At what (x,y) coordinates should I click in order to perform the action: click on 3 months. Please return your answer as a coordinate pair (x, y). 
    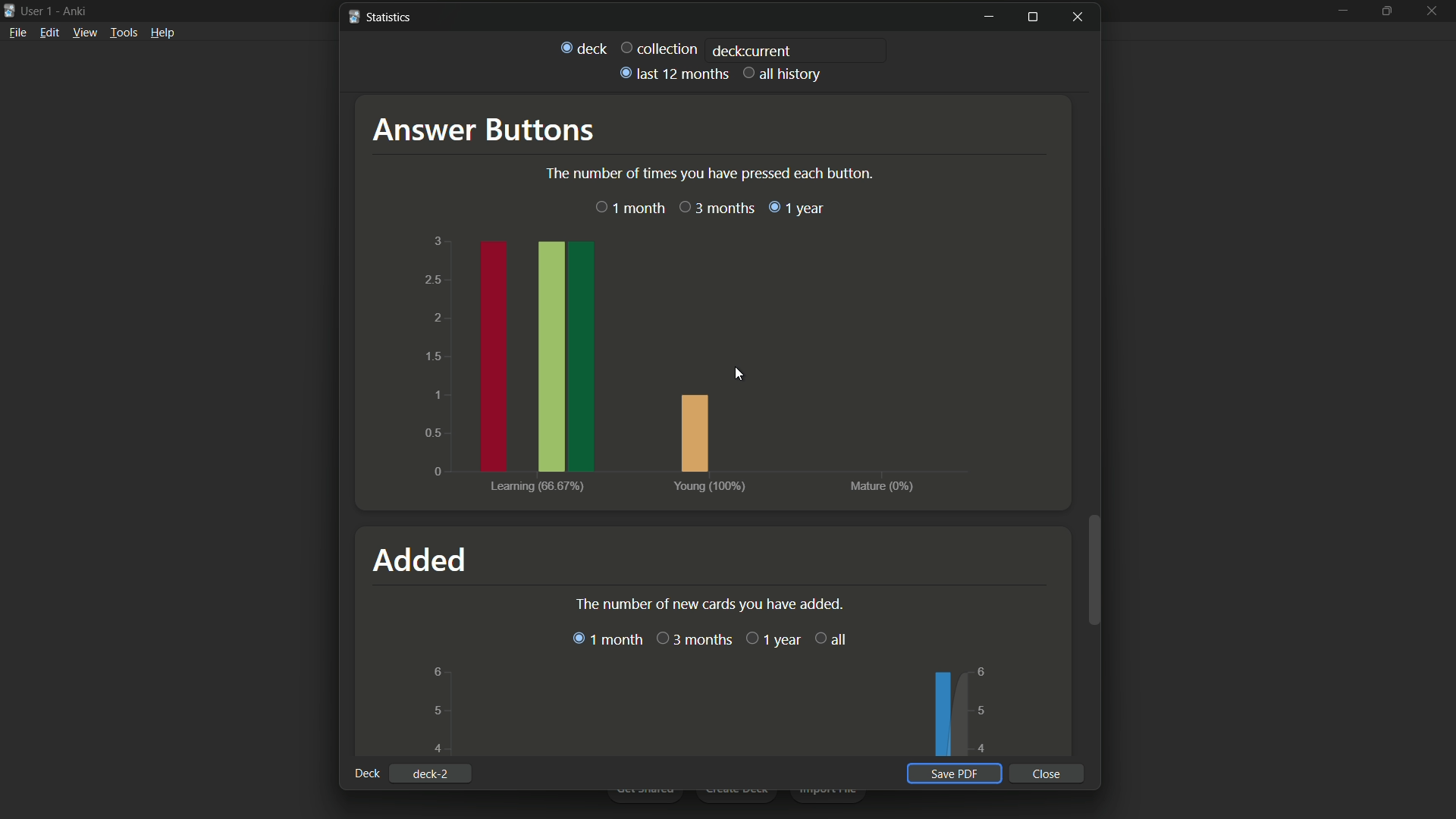
    Looking at the image, I should click on (694, 640).